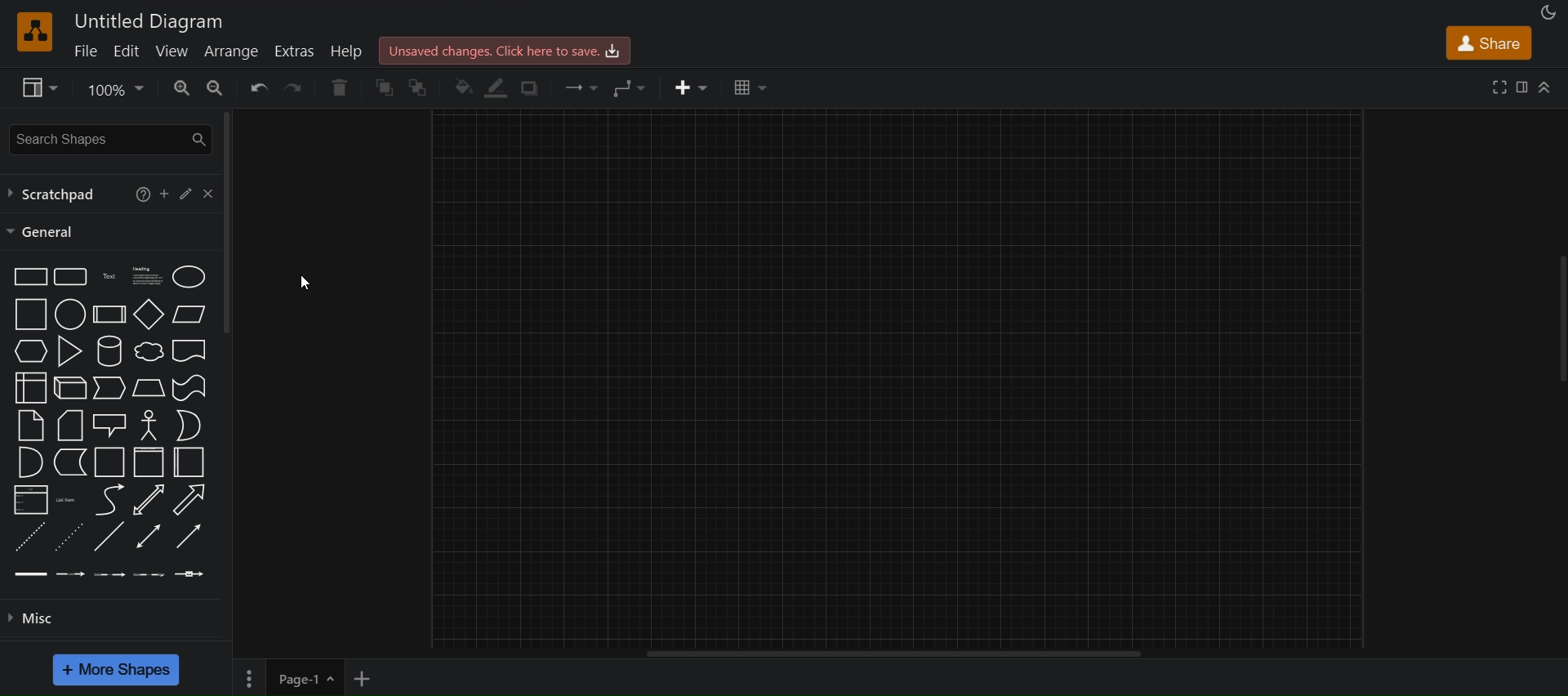  I want to click on redo, so click(299, 89).